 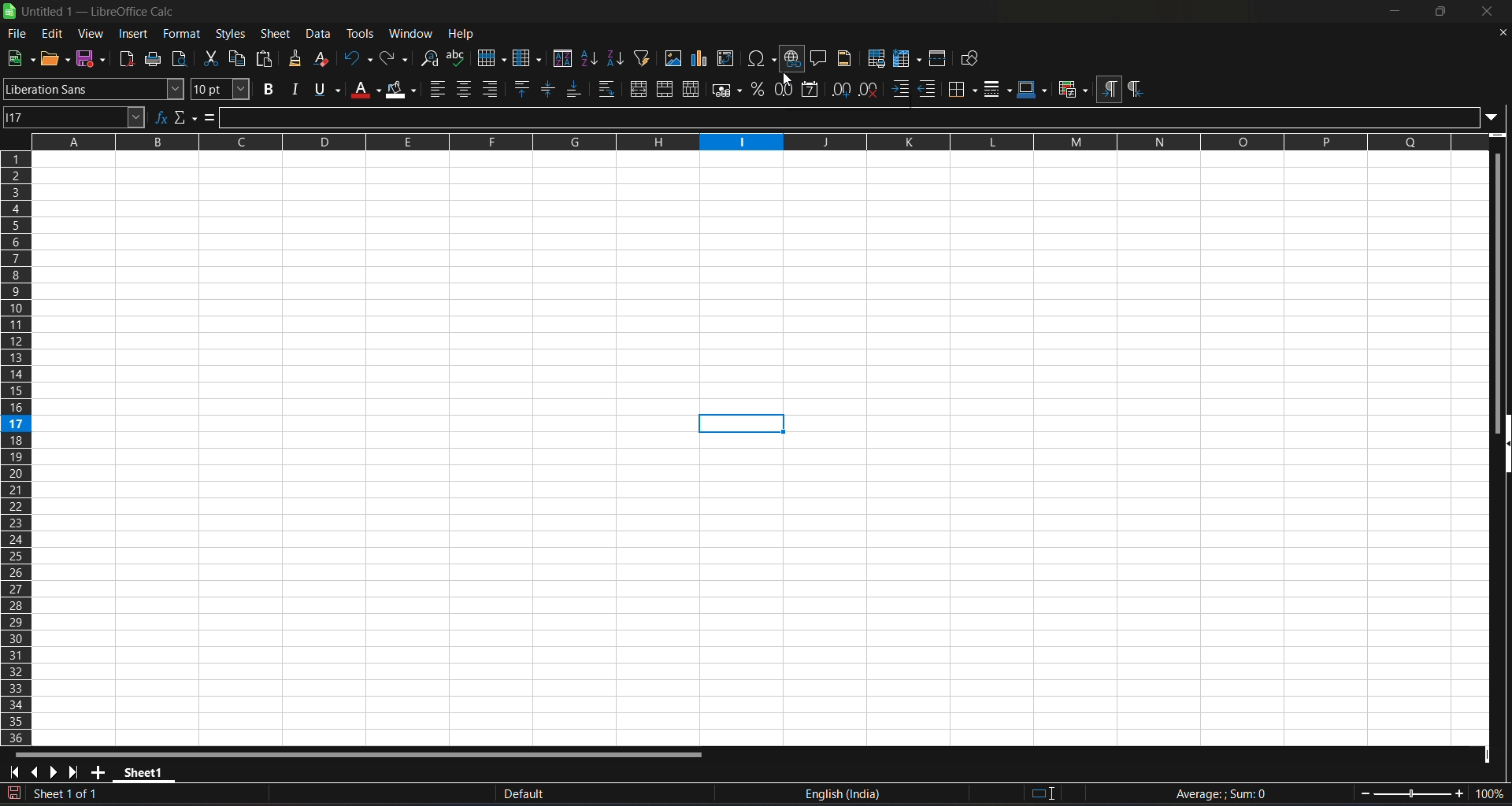 What do you see at coordinates (359, 33) in the screenshot?
I see `tools` at bounding box center [359, 33].